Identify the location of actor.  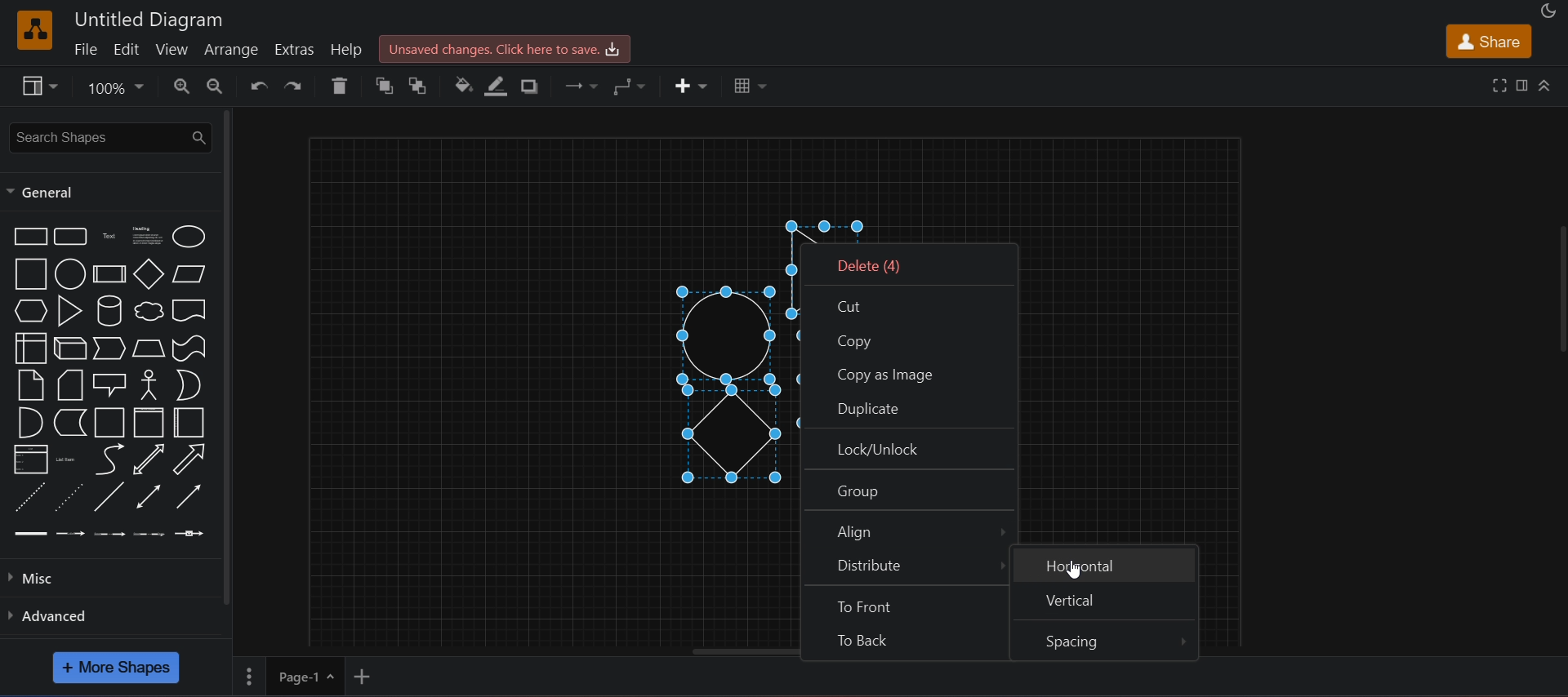
(149, 385).